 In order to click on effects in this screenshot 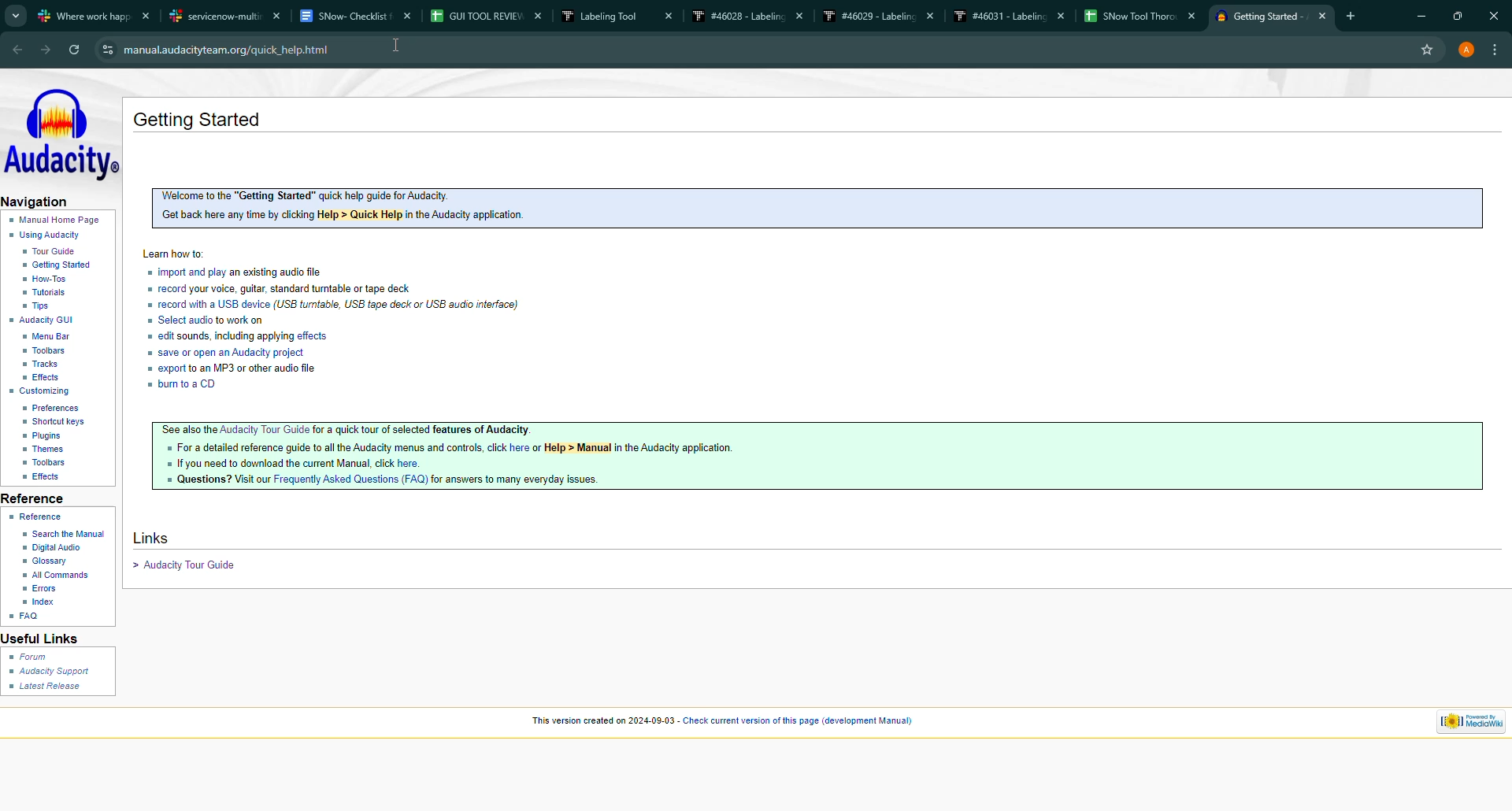, I will do `click(54, 479)`.